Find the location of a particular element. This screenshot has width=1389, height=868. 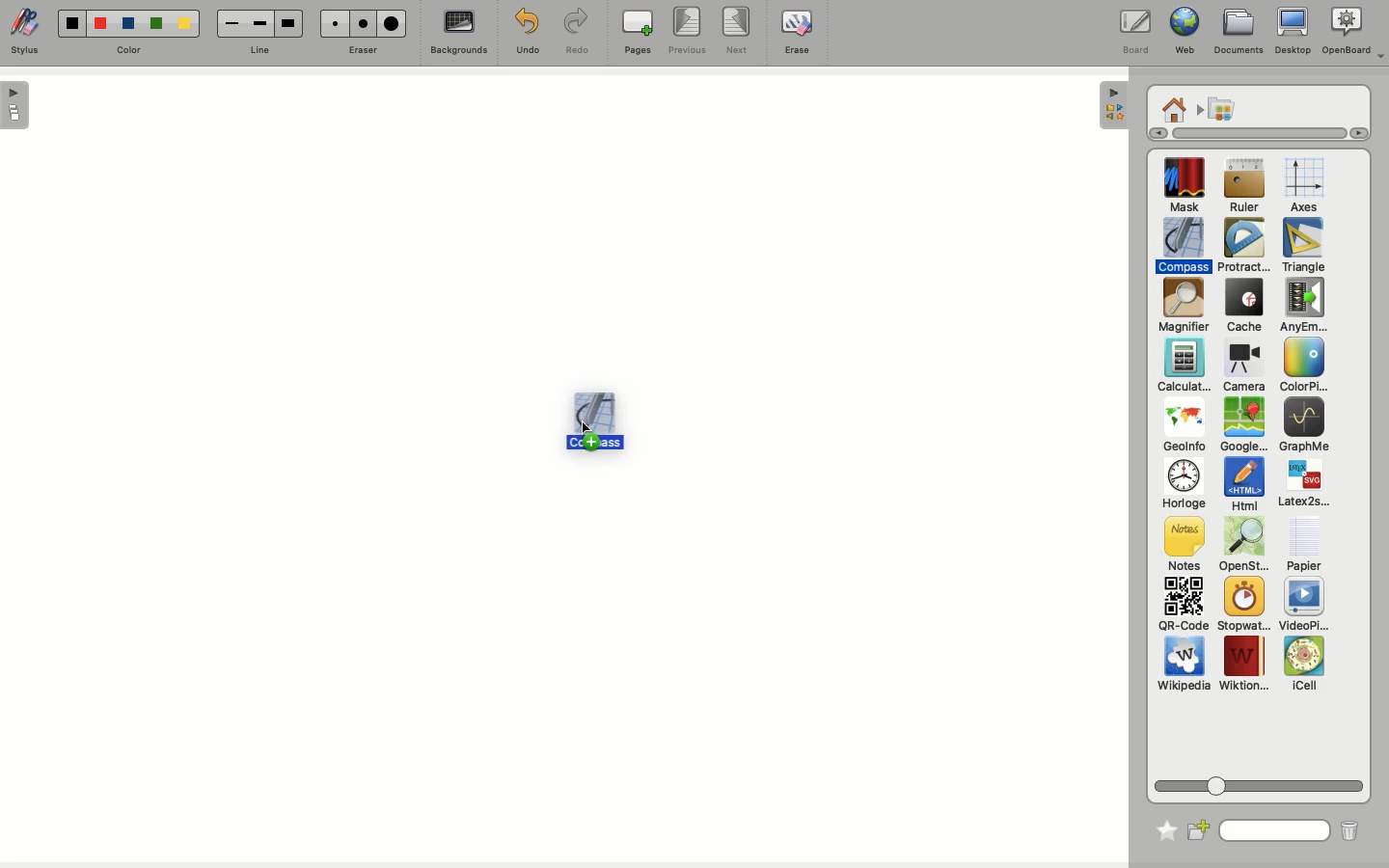

show sidebar is located at coordinates (16, 105).